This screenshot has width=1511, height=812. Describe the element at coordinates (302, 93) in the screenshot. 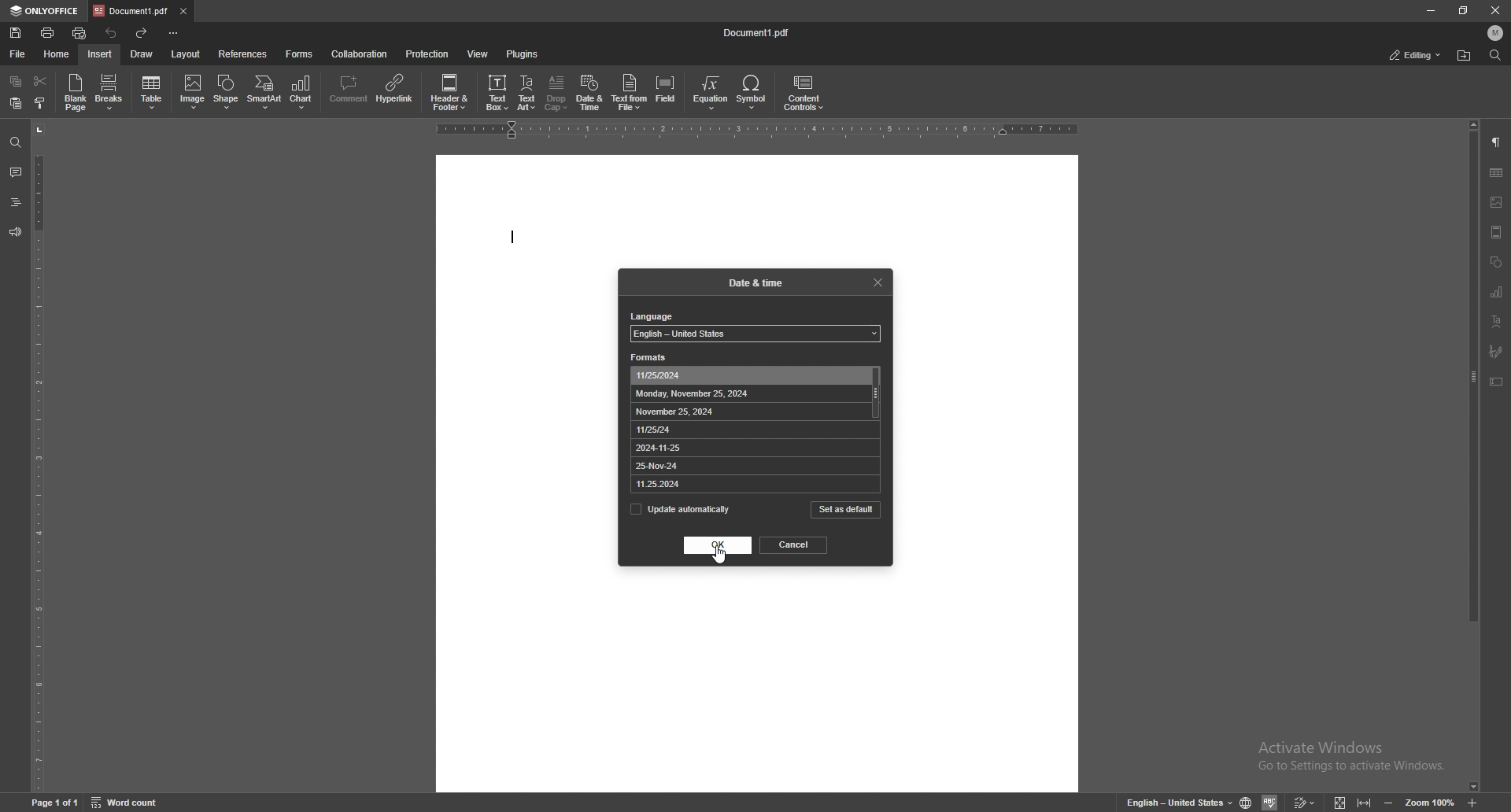

I see `chart` at that location.